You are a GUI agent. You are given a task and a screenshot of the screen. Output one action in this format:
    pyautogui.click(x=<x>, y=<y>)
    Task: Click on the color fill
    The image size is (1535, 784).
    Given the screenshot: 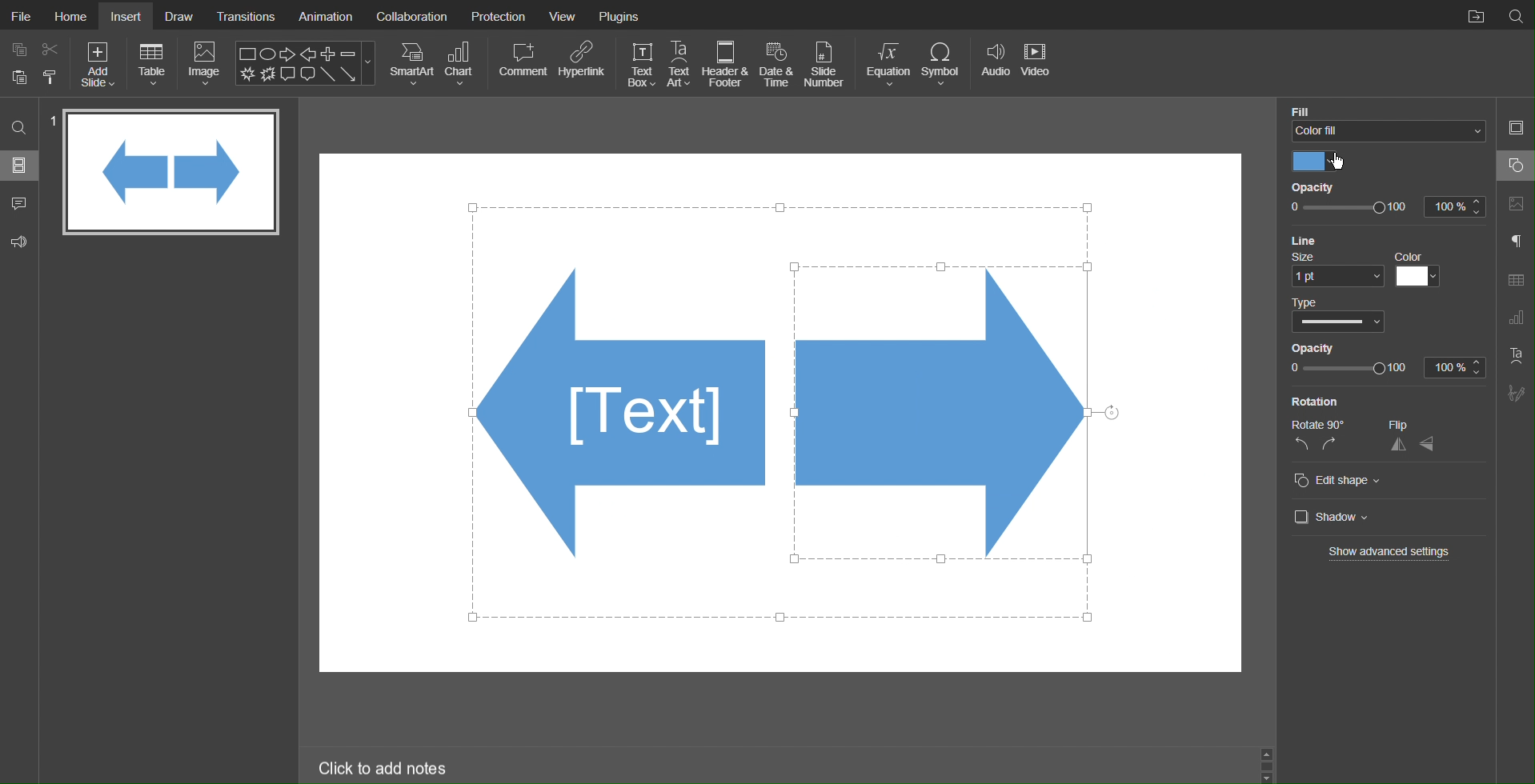 What is the action you would take?
    pyautogui.click(x=1388, y=131)
    